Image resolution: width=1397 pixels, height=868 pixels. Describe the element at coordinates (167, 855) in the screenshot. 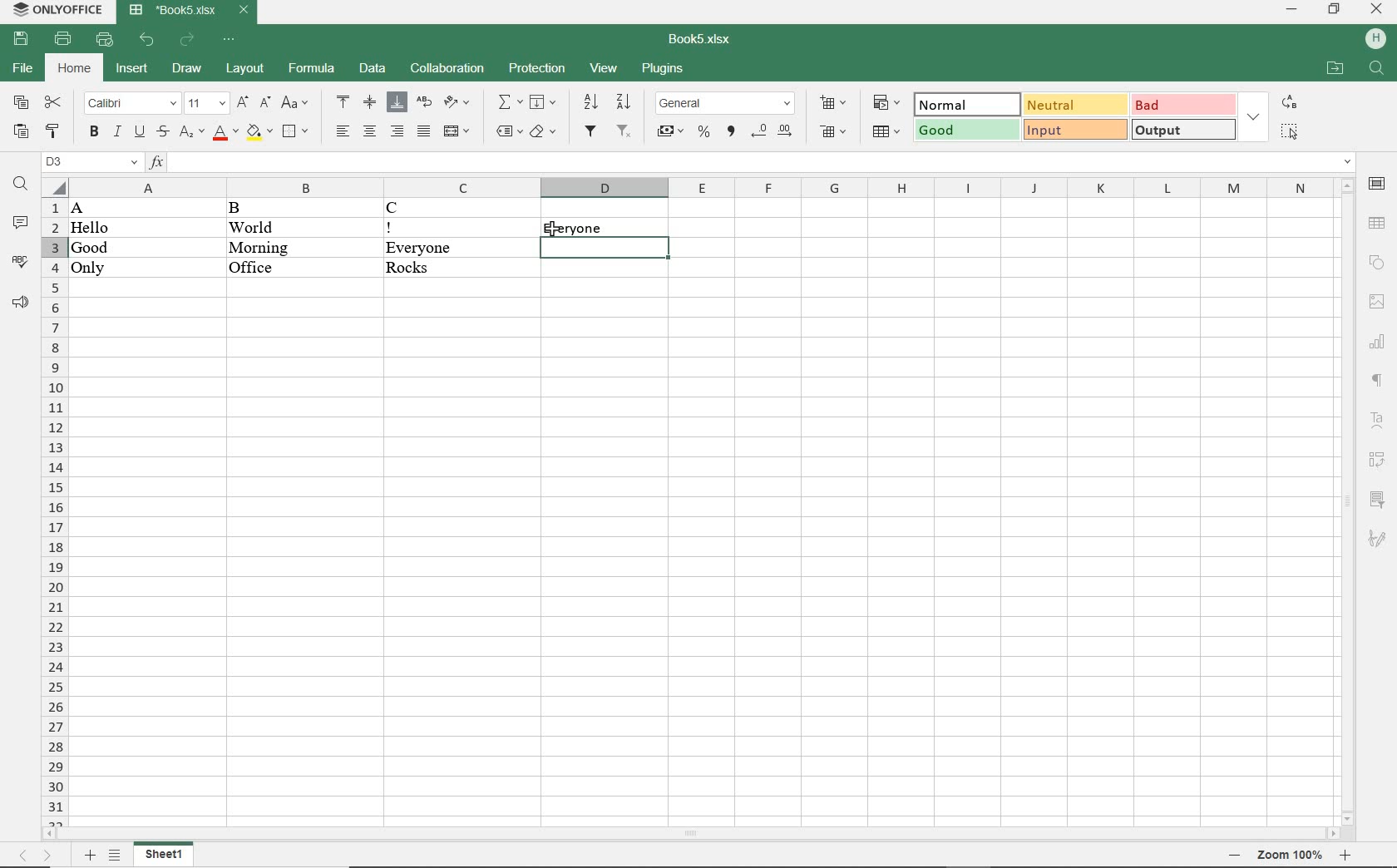

I see `sheet 1` at that location.